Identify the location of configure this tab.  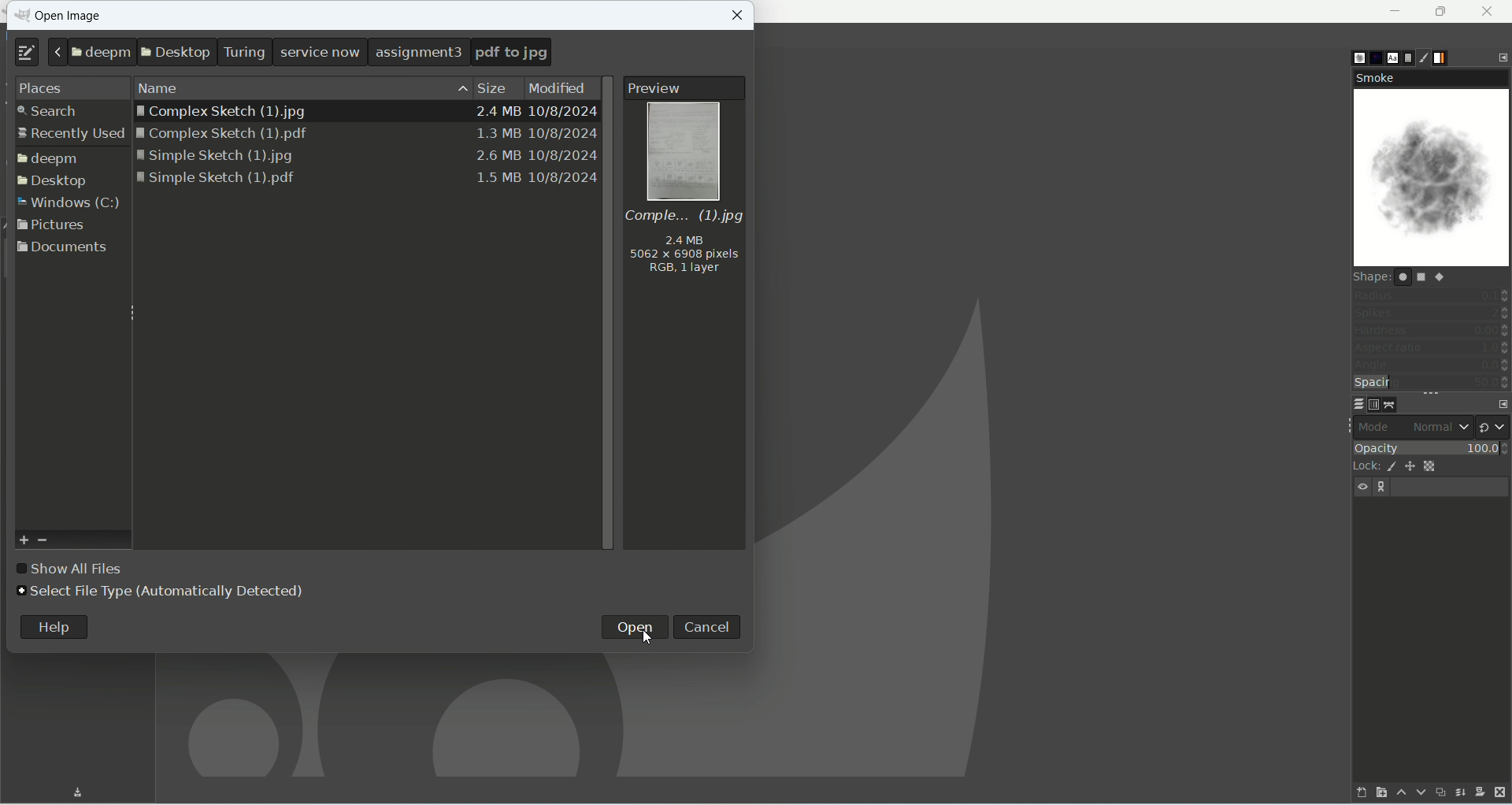
(1502, 56).